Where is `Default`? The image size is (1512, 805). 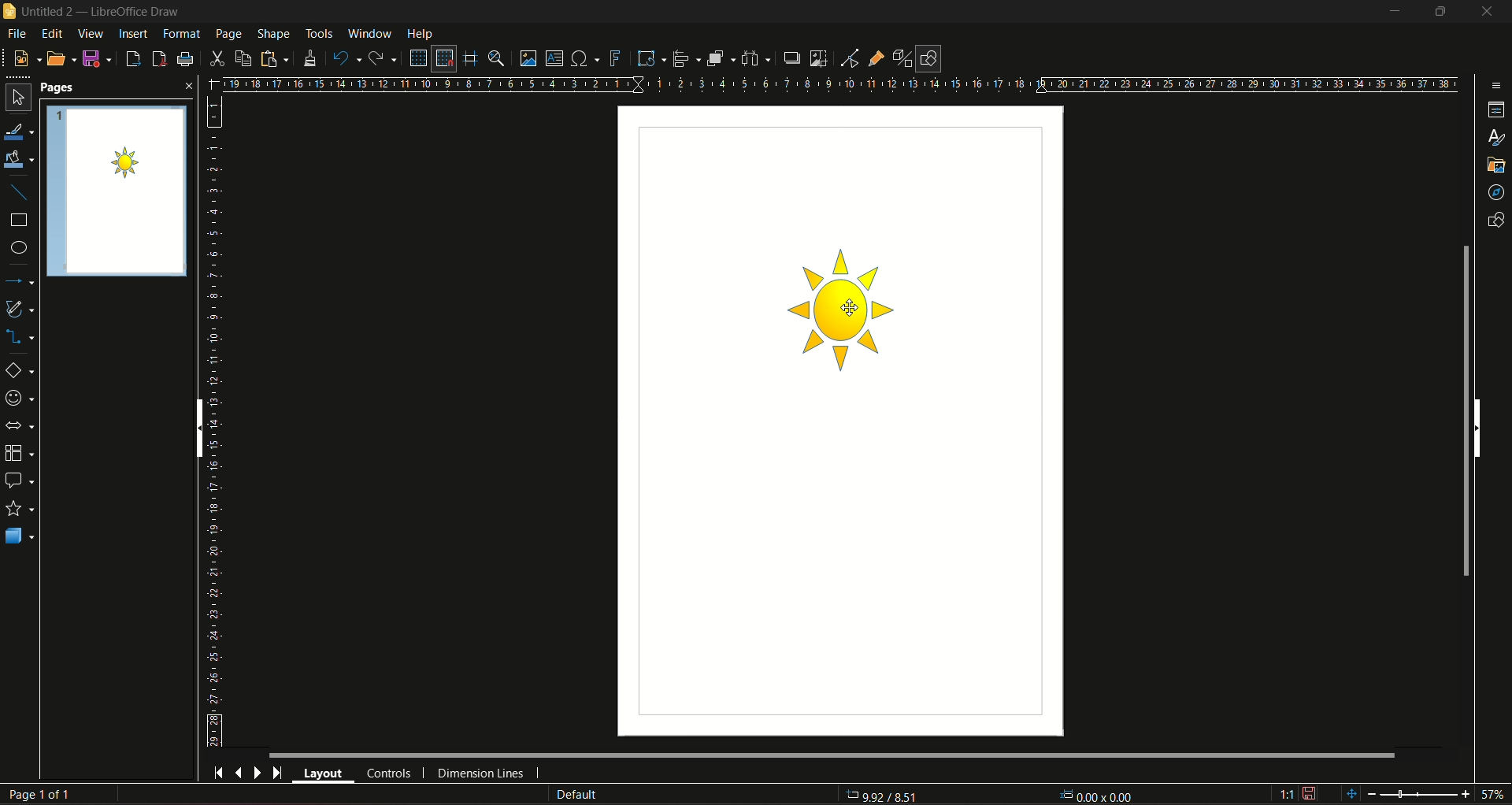
Default is located at coordinates (576, 795).